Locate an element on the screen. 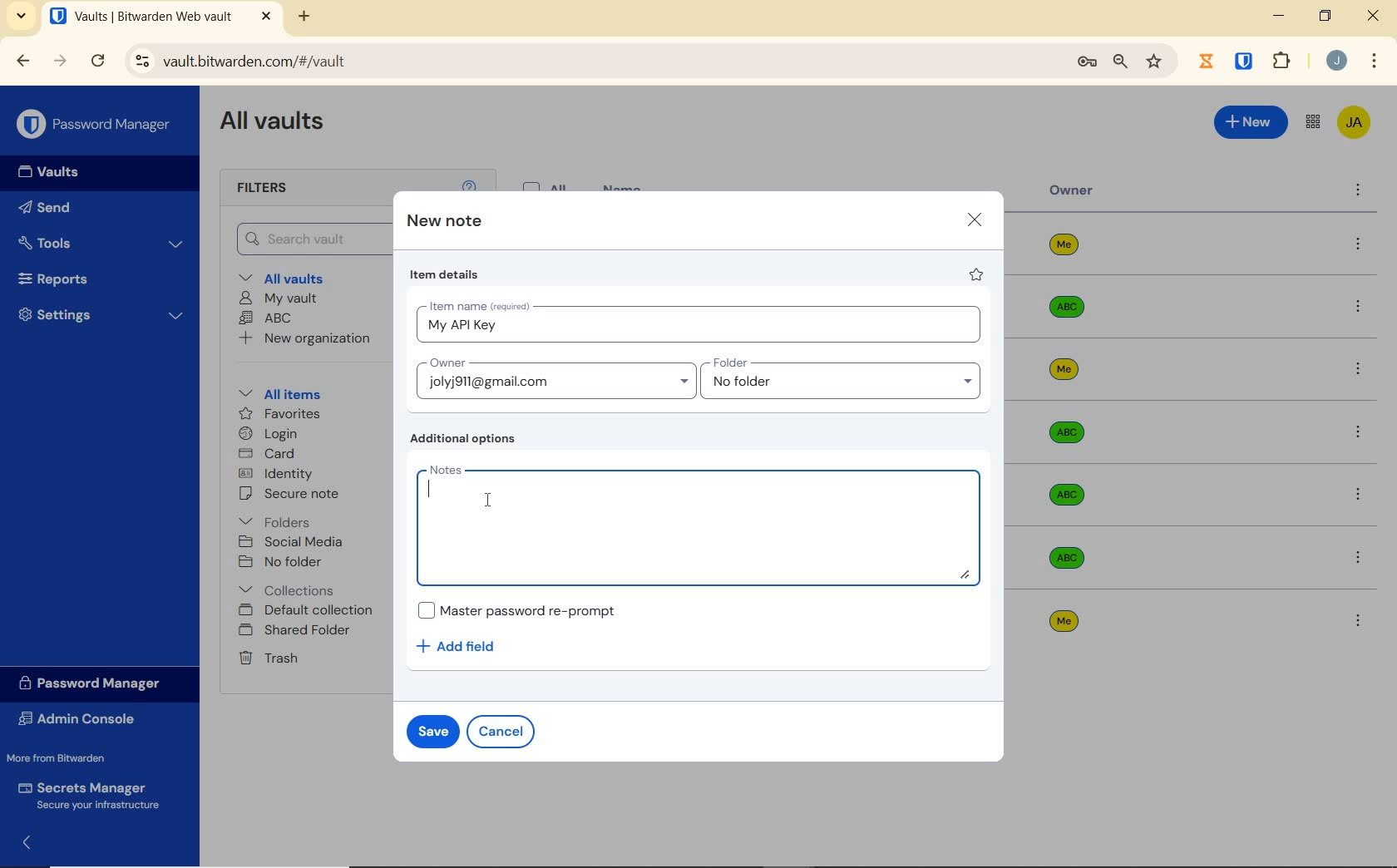 The height and width of the screenshot is (868, 1397). new note is located at coordinates (444, 222).